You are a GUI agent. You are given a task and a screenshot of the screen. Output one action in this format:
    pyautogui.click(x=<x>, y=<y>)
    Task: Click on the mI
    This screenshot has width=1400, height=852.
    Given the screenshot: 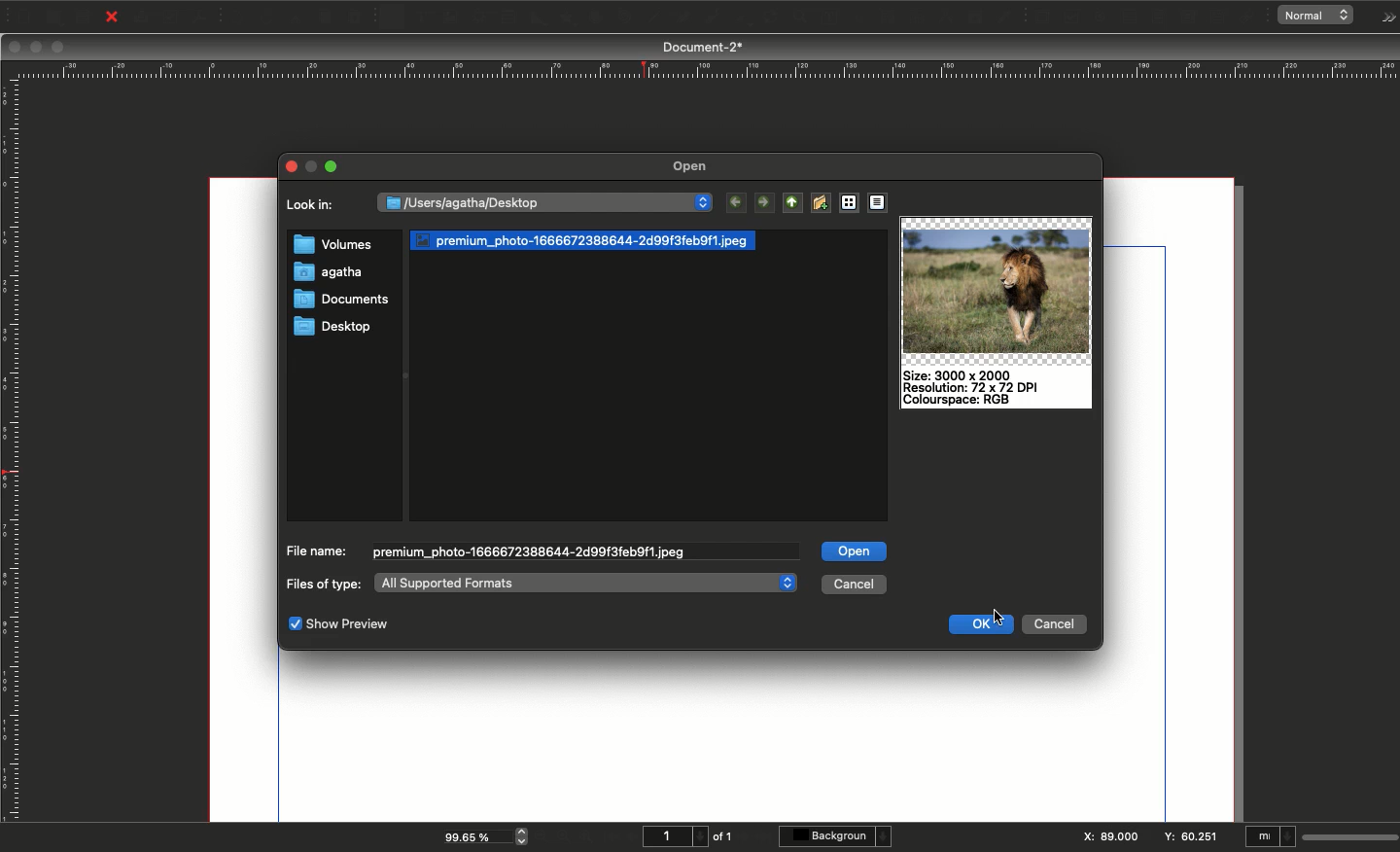 What is the action you would take?
    pyautogui.click(x=1271, y=838)
    